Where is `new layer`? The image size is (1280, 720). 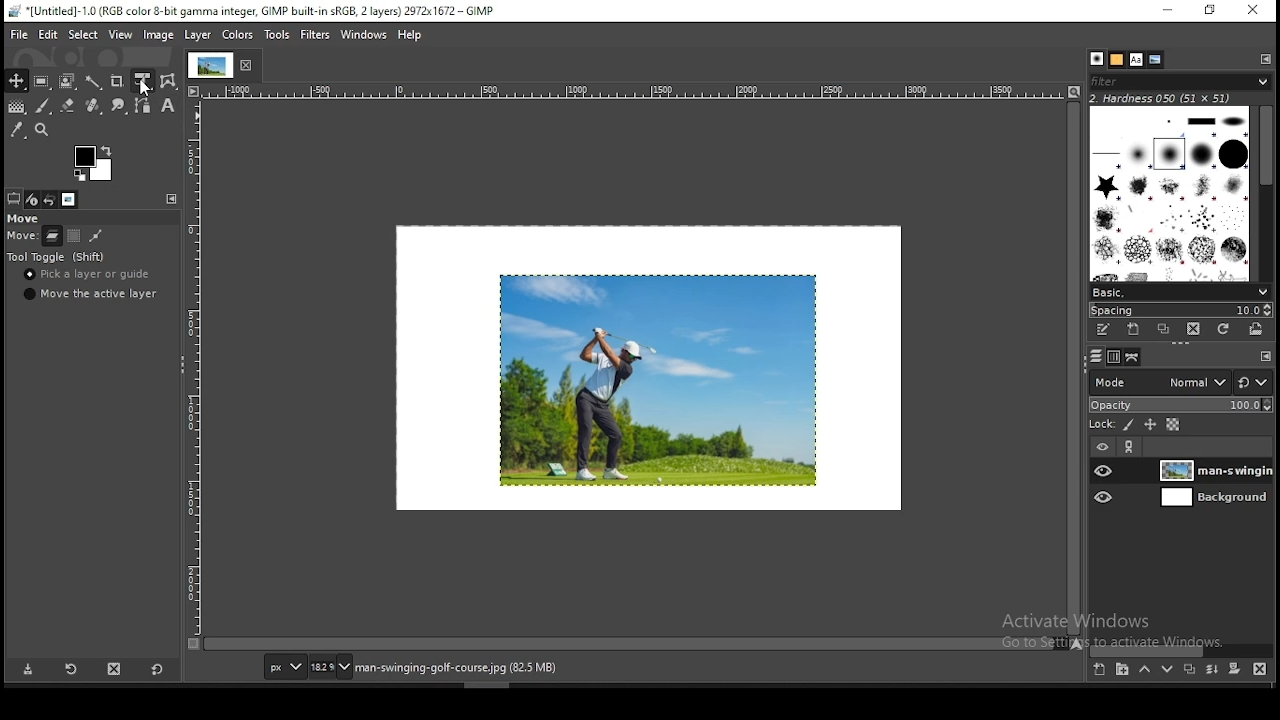 new layer is located at coordinates (1098, 669).